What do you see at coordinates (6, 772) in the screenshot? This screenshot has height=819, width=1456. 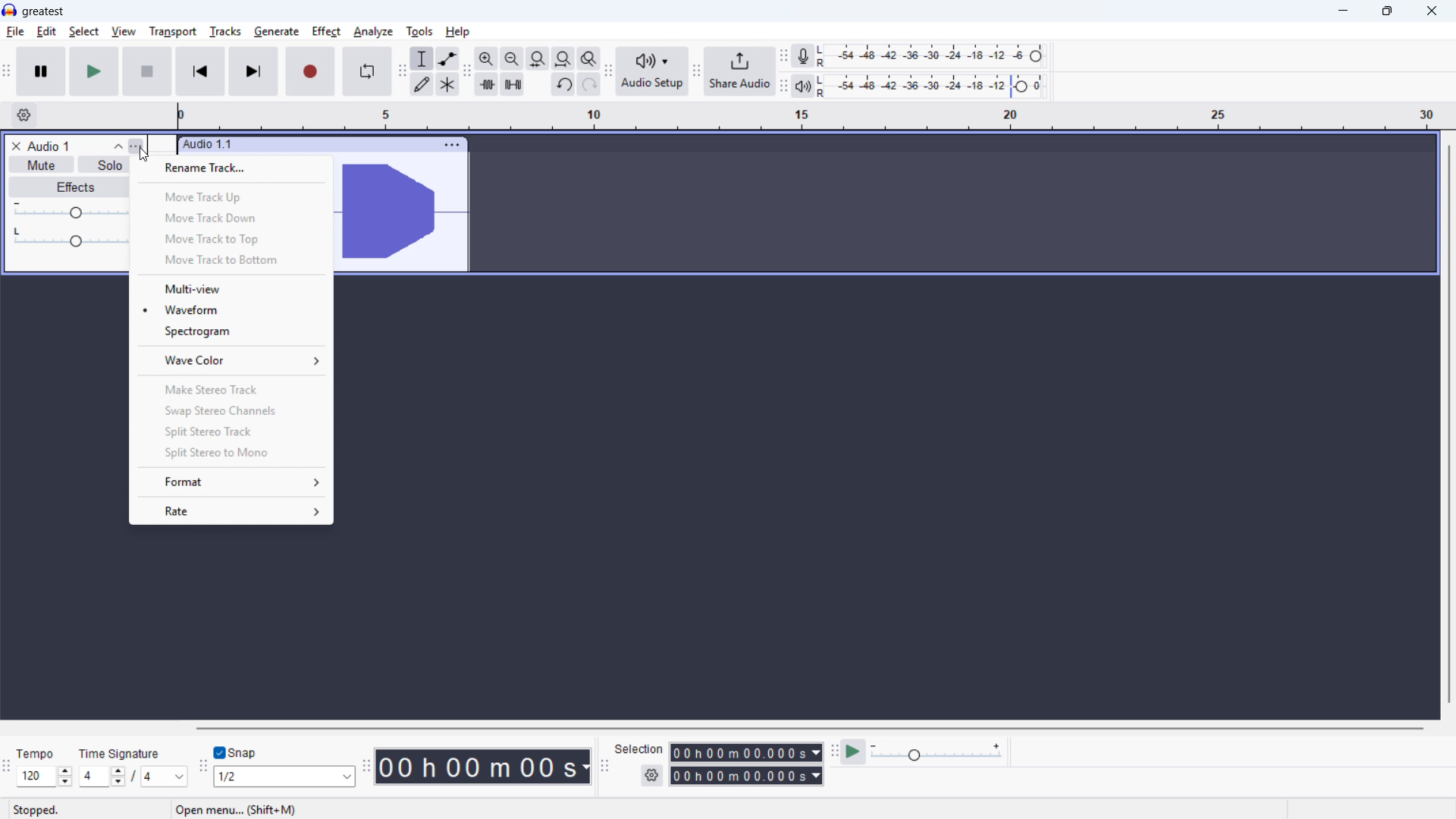 I see `Time signature toolbar ` at bounding box center [6, 772].